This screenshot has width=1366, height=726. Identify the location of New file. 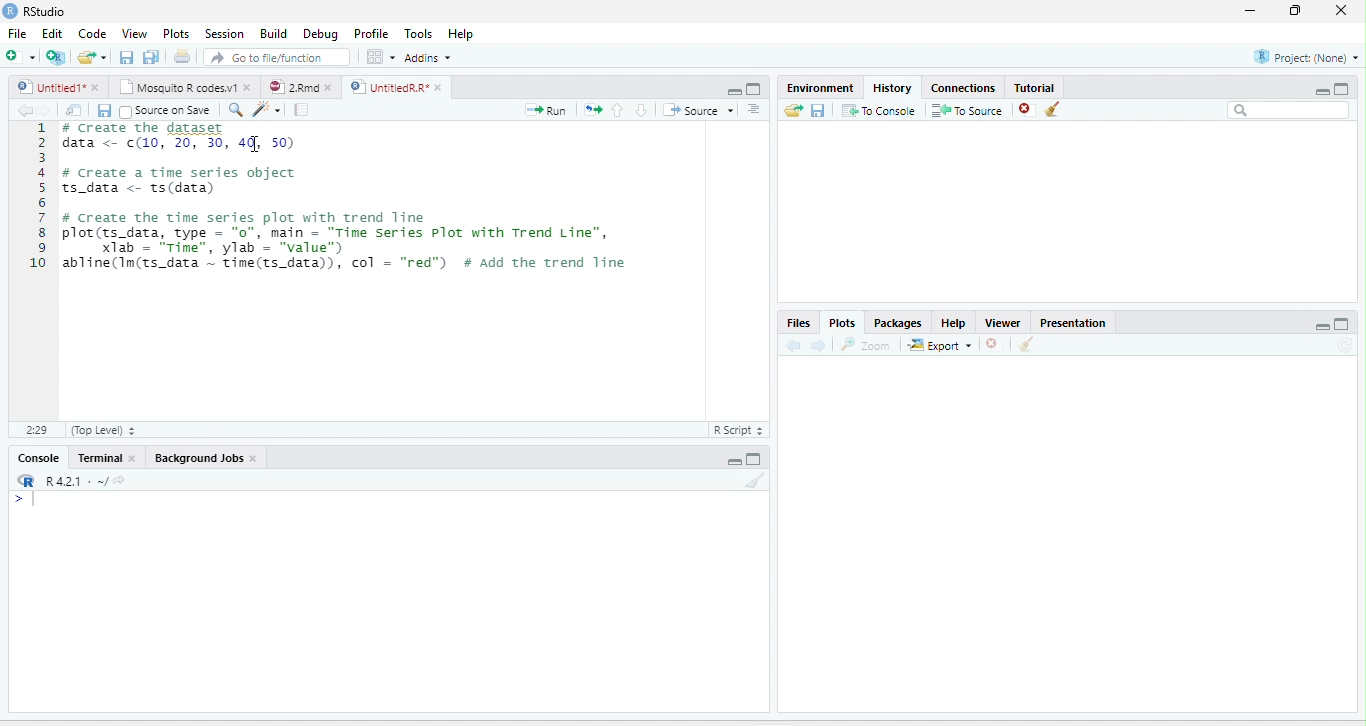
(19, 56).